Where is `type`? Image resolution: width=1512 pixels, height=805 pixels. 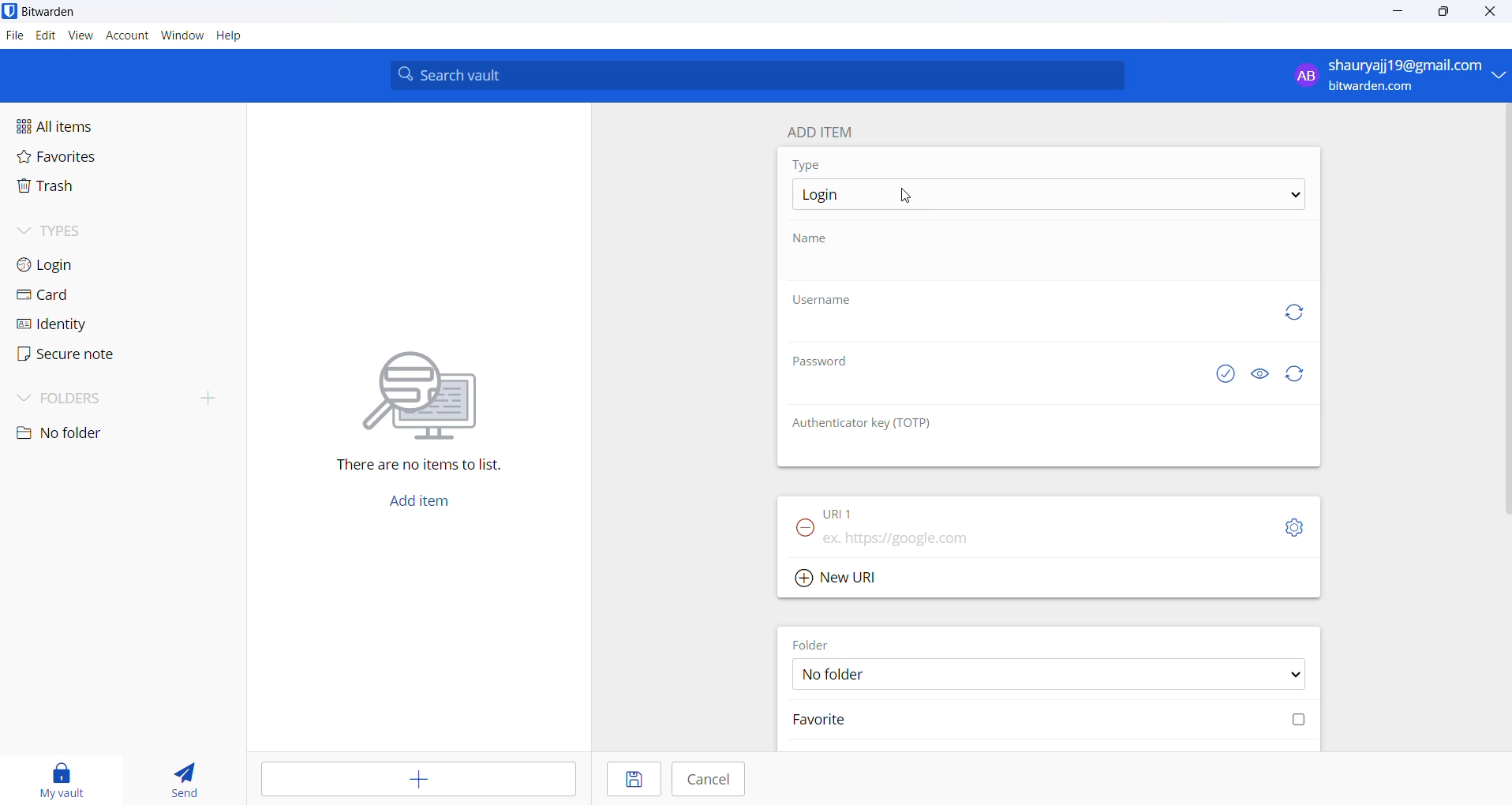 type is located at coordinates (822, 166).